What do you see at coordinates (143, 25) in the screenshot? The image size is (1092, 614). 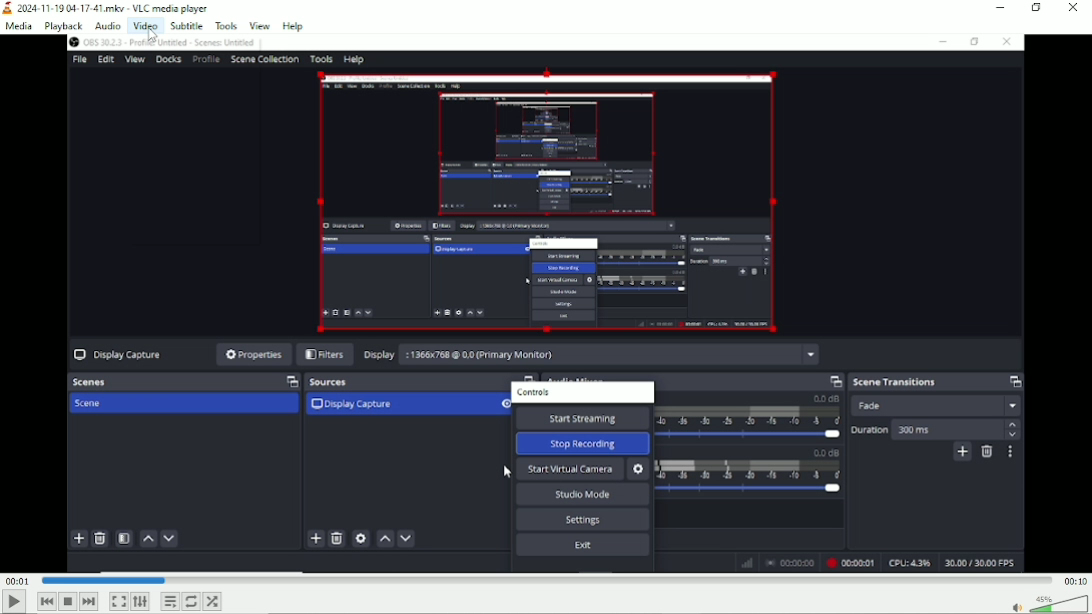 I see `video` at bounding box center [143, 25].